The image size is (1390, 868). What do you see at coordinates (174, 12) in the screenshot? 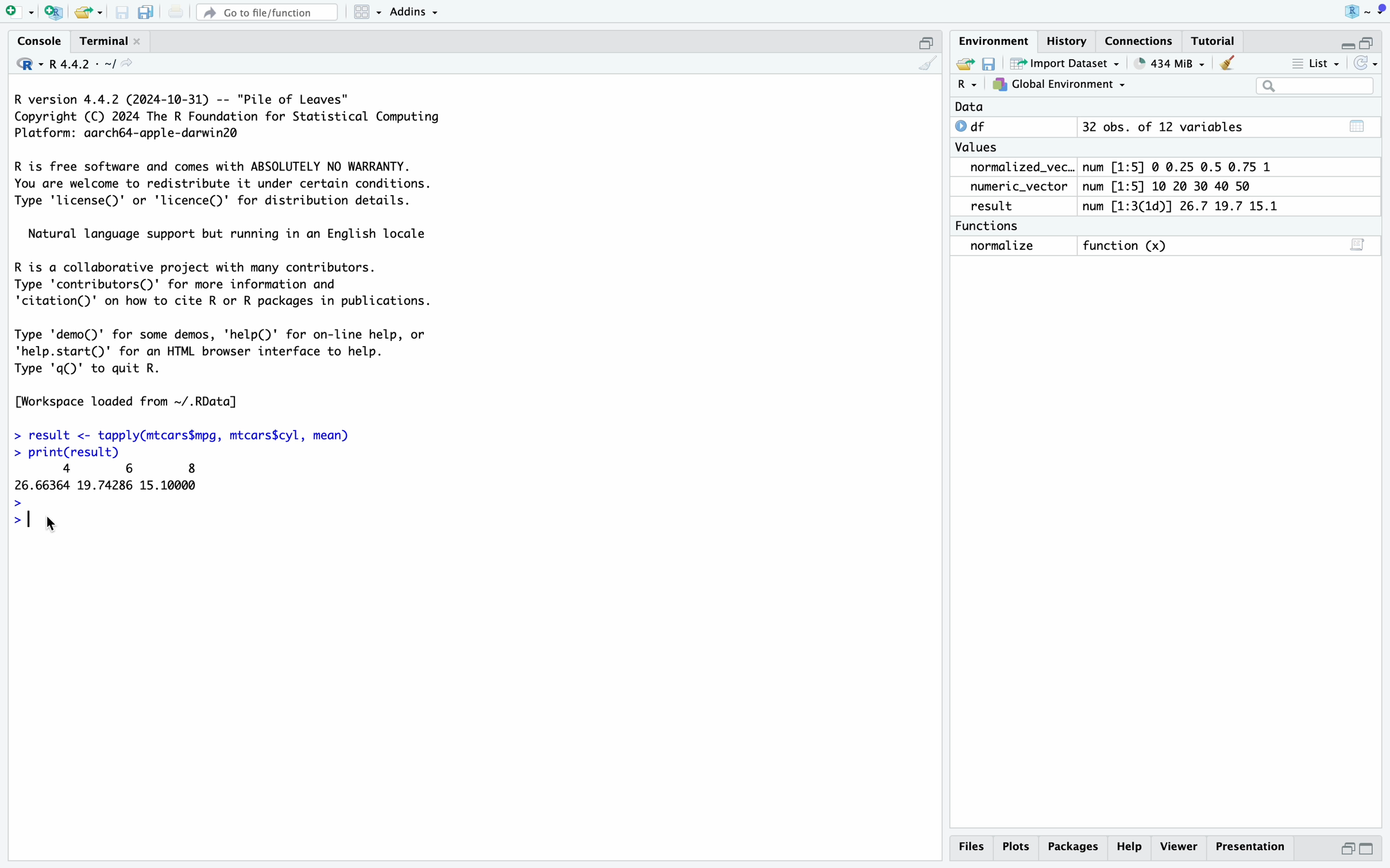
I see `Print` at bounding box center [174, 12].